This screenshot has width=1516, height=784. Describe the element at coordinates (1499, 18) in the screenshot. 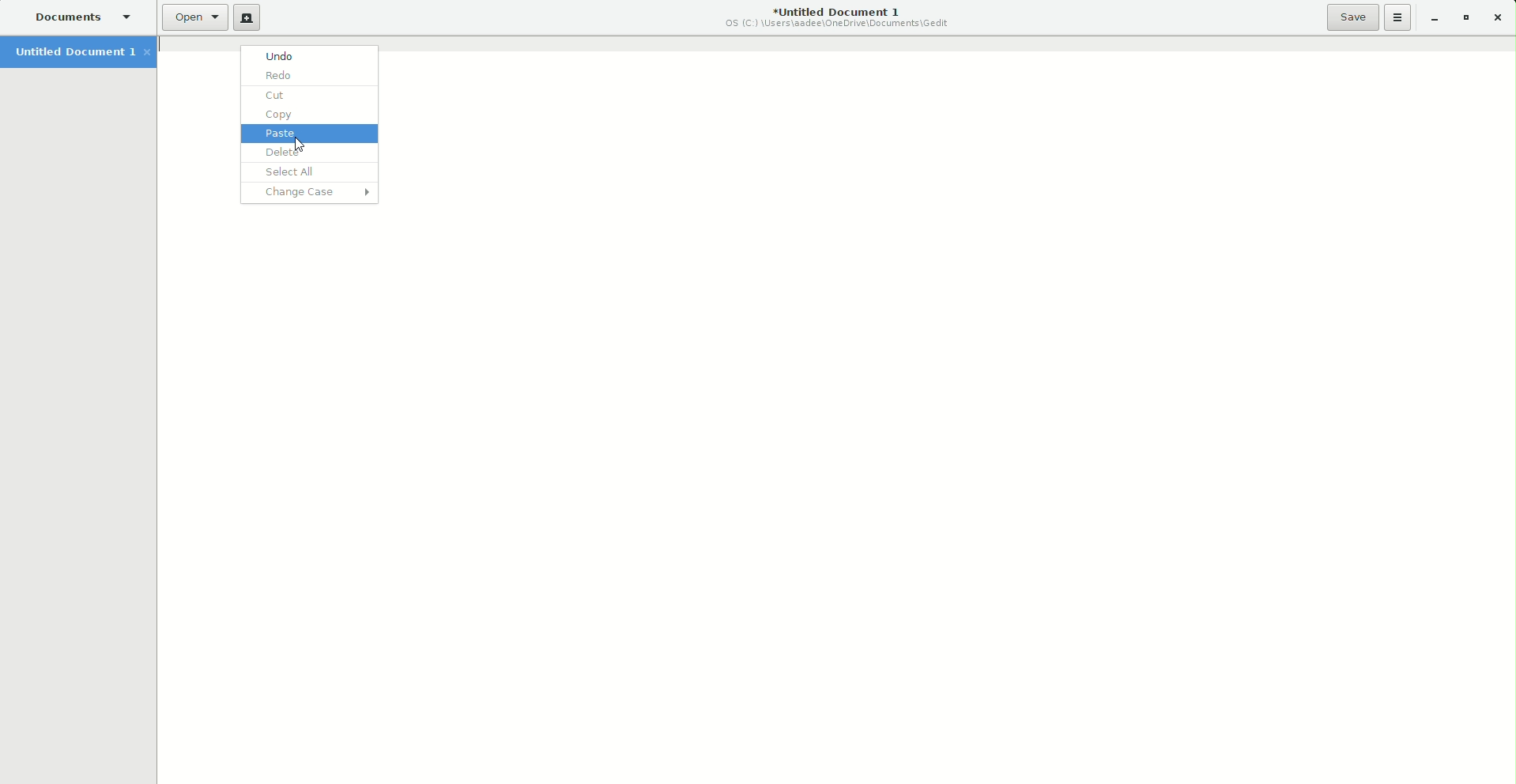

I see `Close` at that location.